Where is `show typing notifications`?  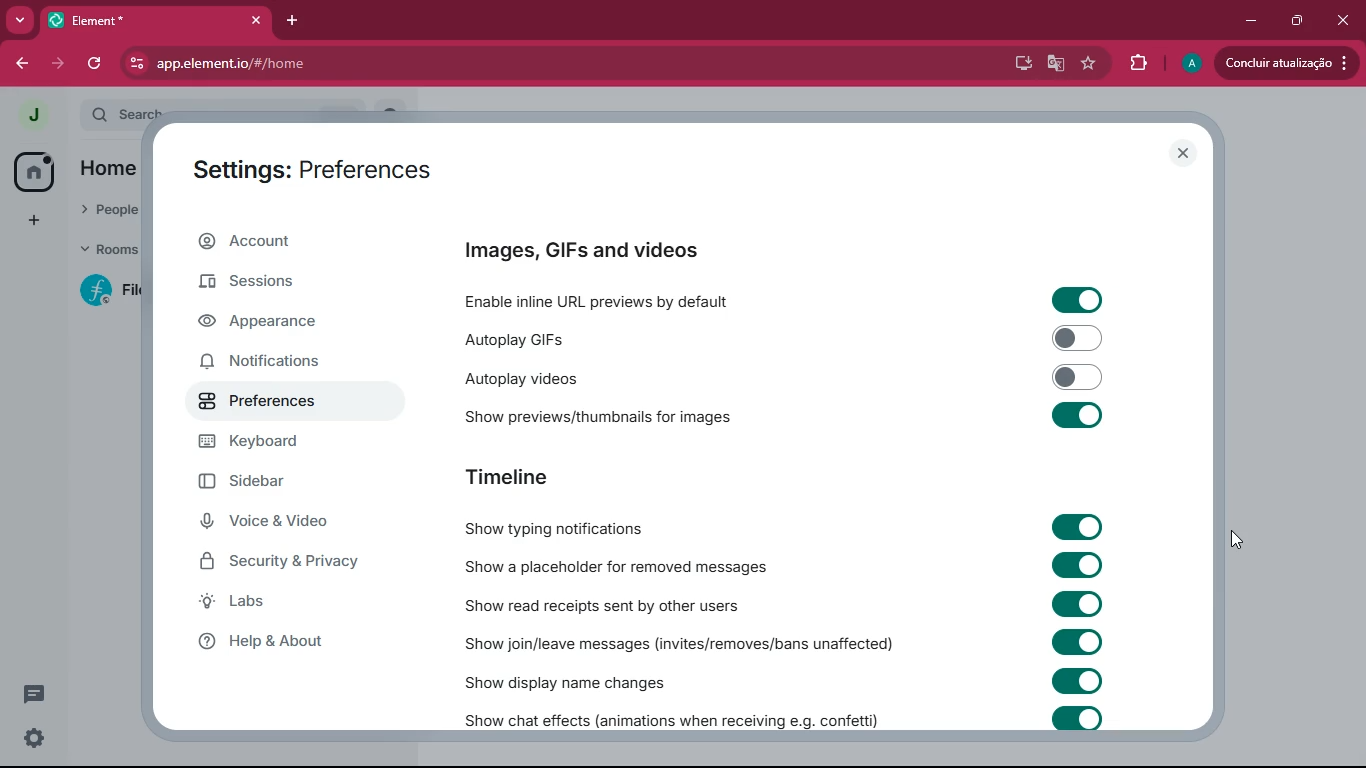 show typing notifications is located at coordinates (561, 528).